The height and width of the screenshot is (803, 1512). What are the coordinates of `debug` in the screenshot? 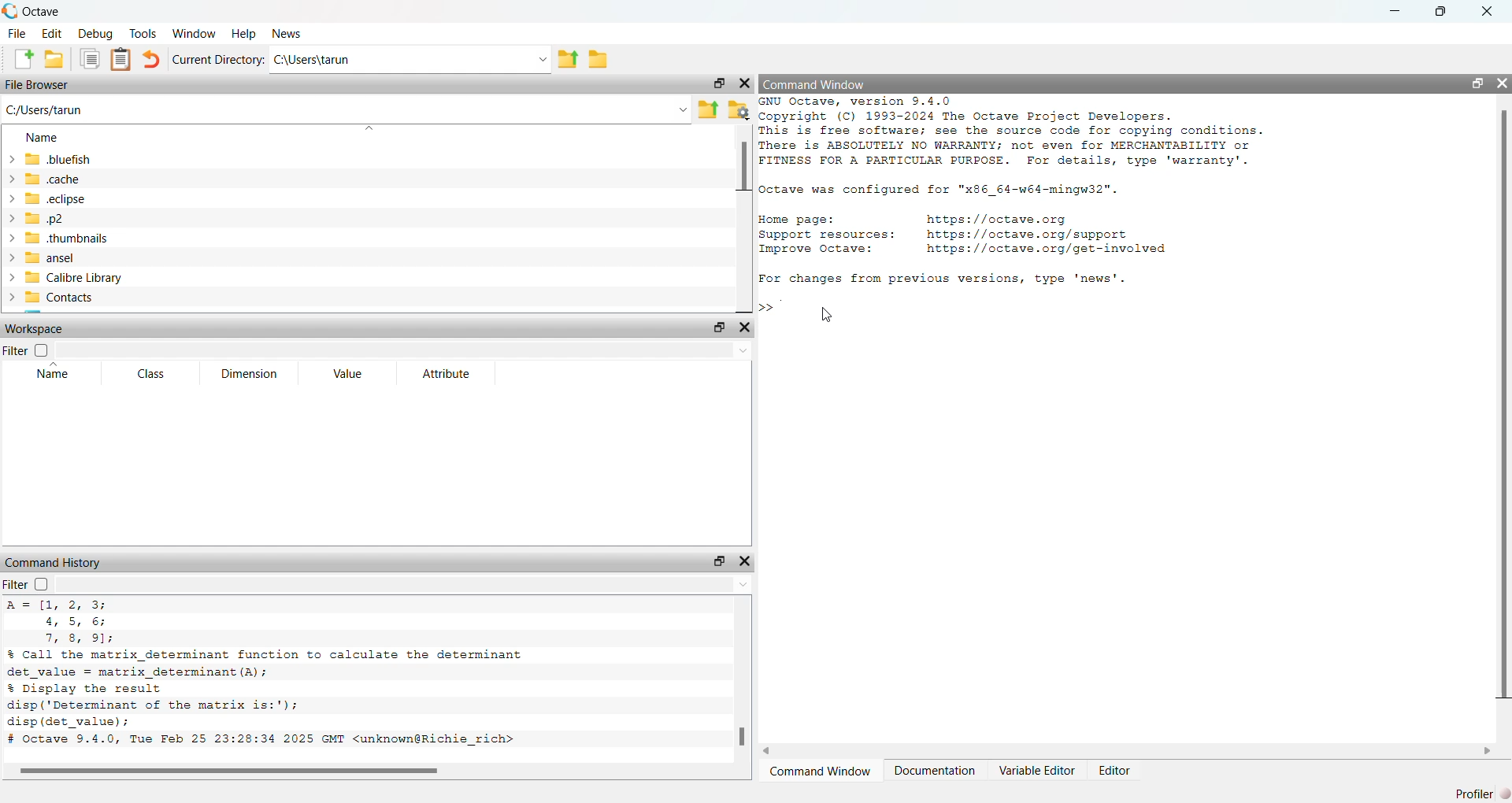 It's located at (97, 33).